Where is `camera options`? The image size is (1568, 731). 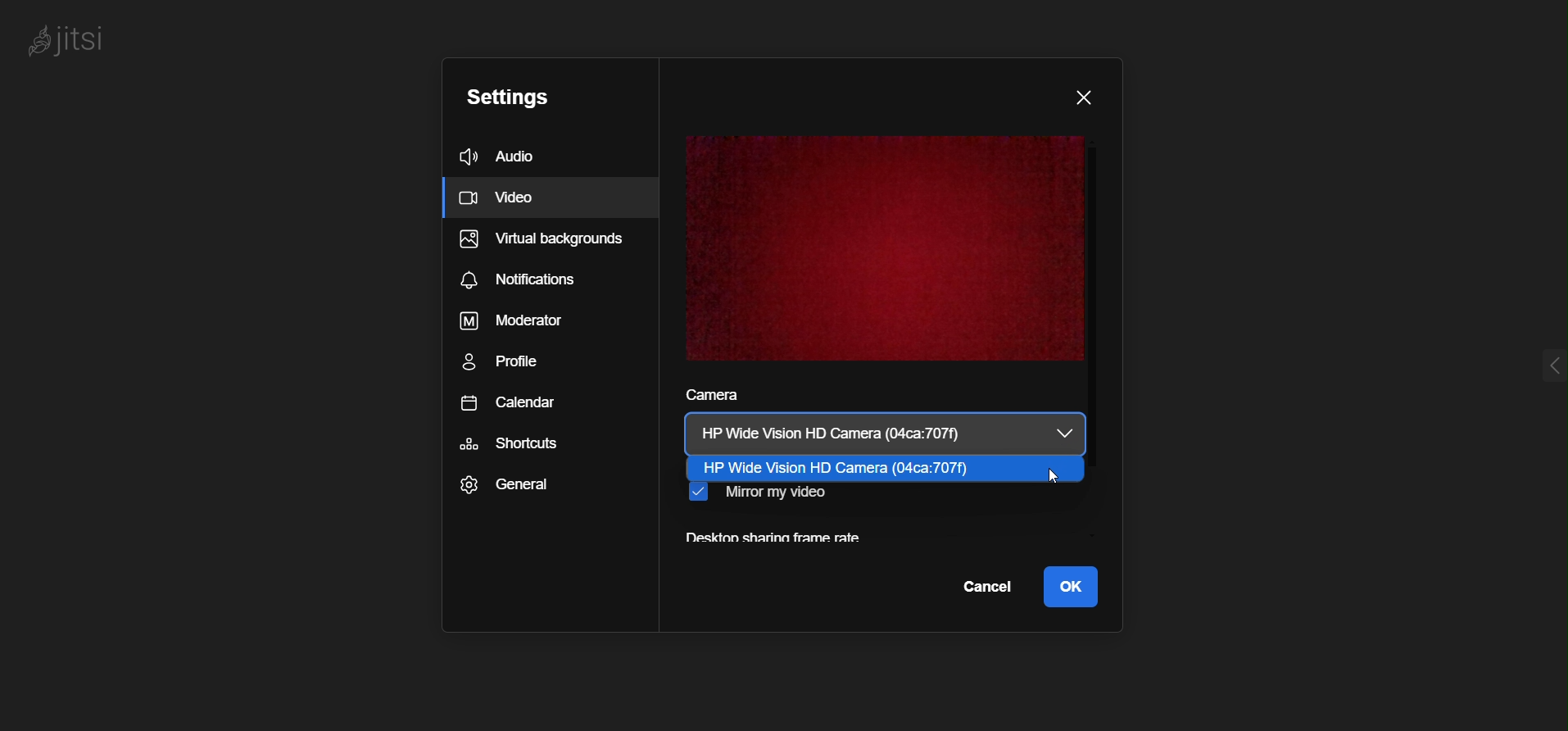
camera options is located at coordinates (863, 468).